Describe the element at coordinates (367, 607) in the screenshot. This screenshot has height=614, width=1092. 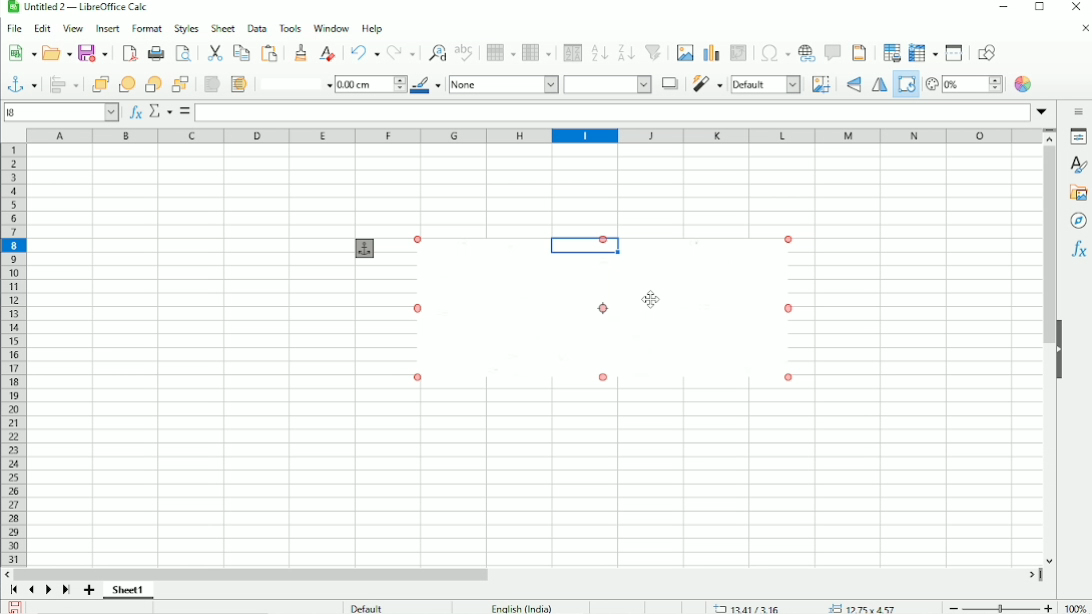
I see `Default` at that location.